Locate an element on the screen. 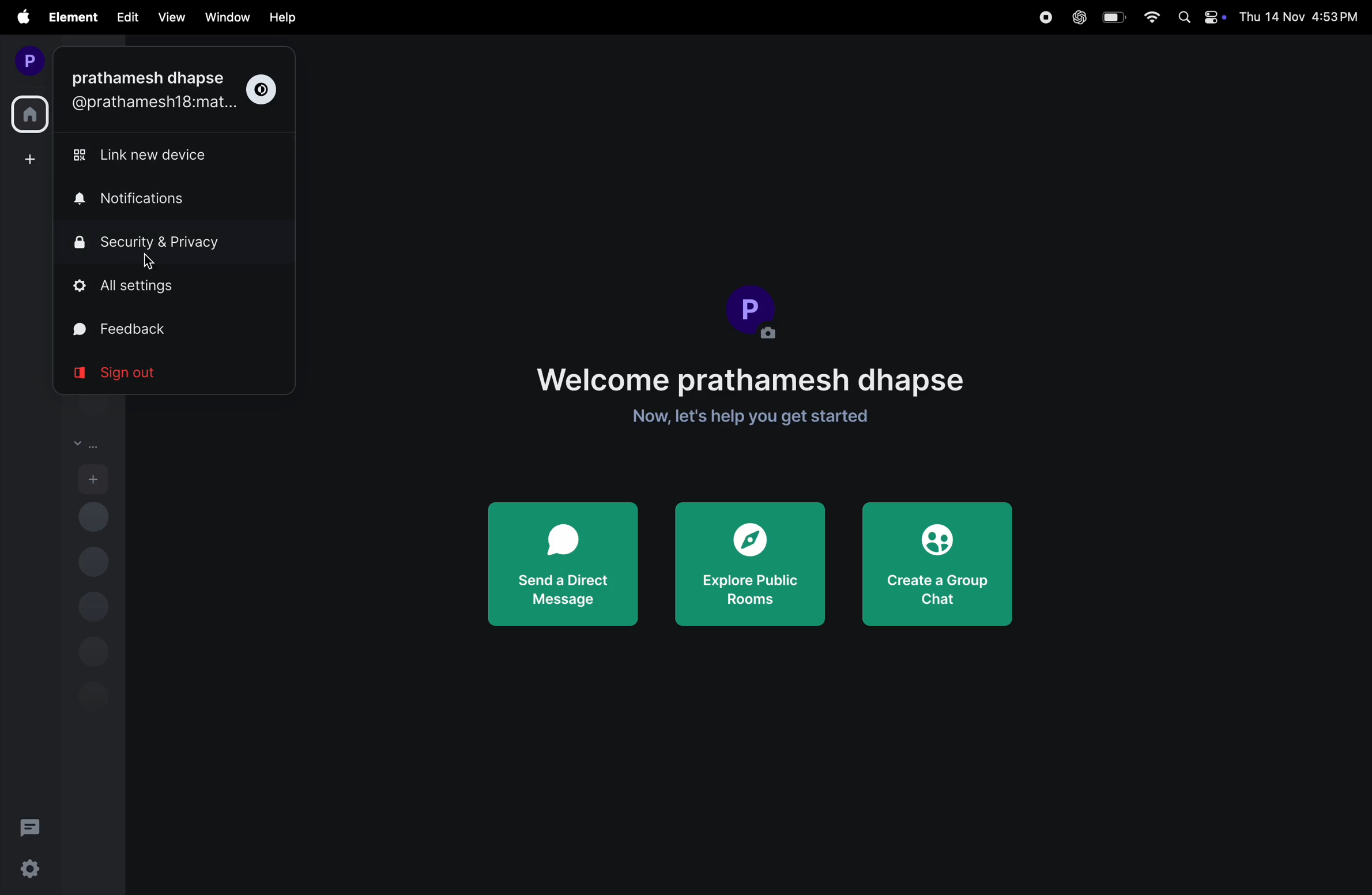 The height and width of the screenshot is (895, 1372). display pic is located at coordinates (753, 311).